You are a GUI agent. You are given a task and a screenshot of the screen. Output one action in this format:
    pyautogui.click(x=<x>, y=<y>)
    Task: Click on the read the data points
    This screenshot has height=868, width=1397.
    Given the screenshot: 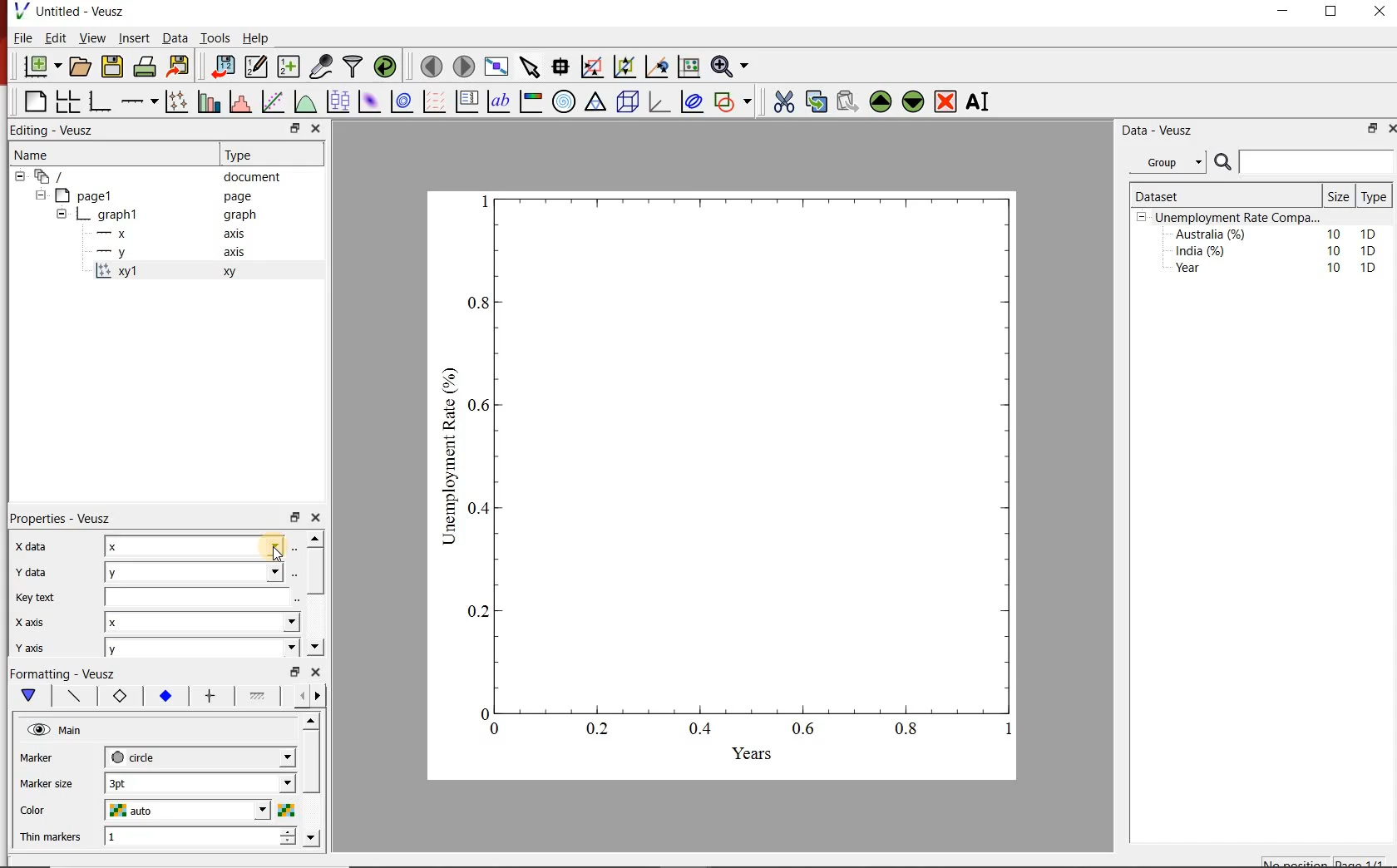 What is the action you would take?
    pyautogui.click(x=562, y=66)
    